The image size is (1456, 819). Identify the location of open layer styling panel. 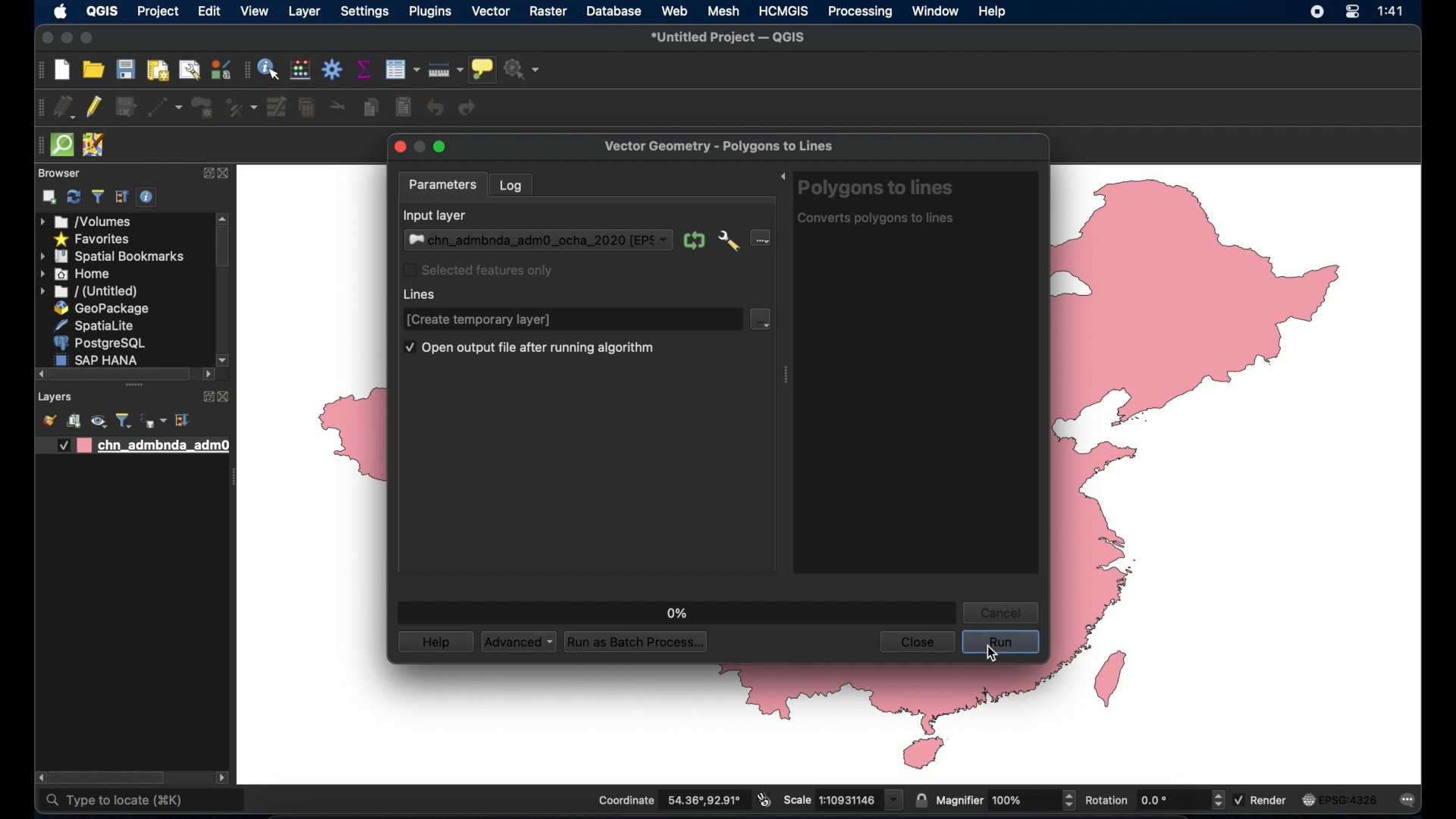
(48, 419).